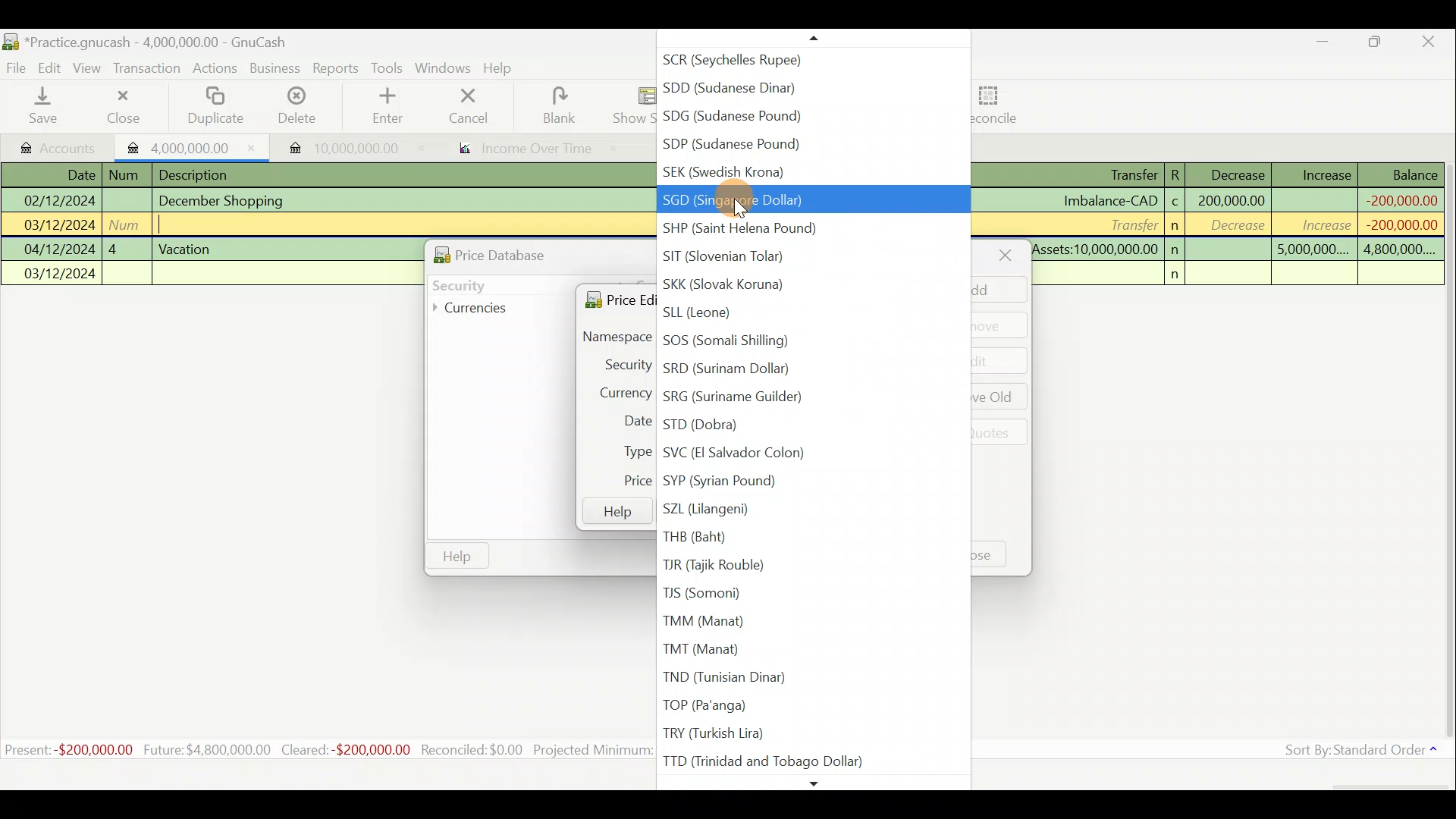  Describe the element at coordinates (60, 227) in the screenshot. I see `03/12/2024` at that location.